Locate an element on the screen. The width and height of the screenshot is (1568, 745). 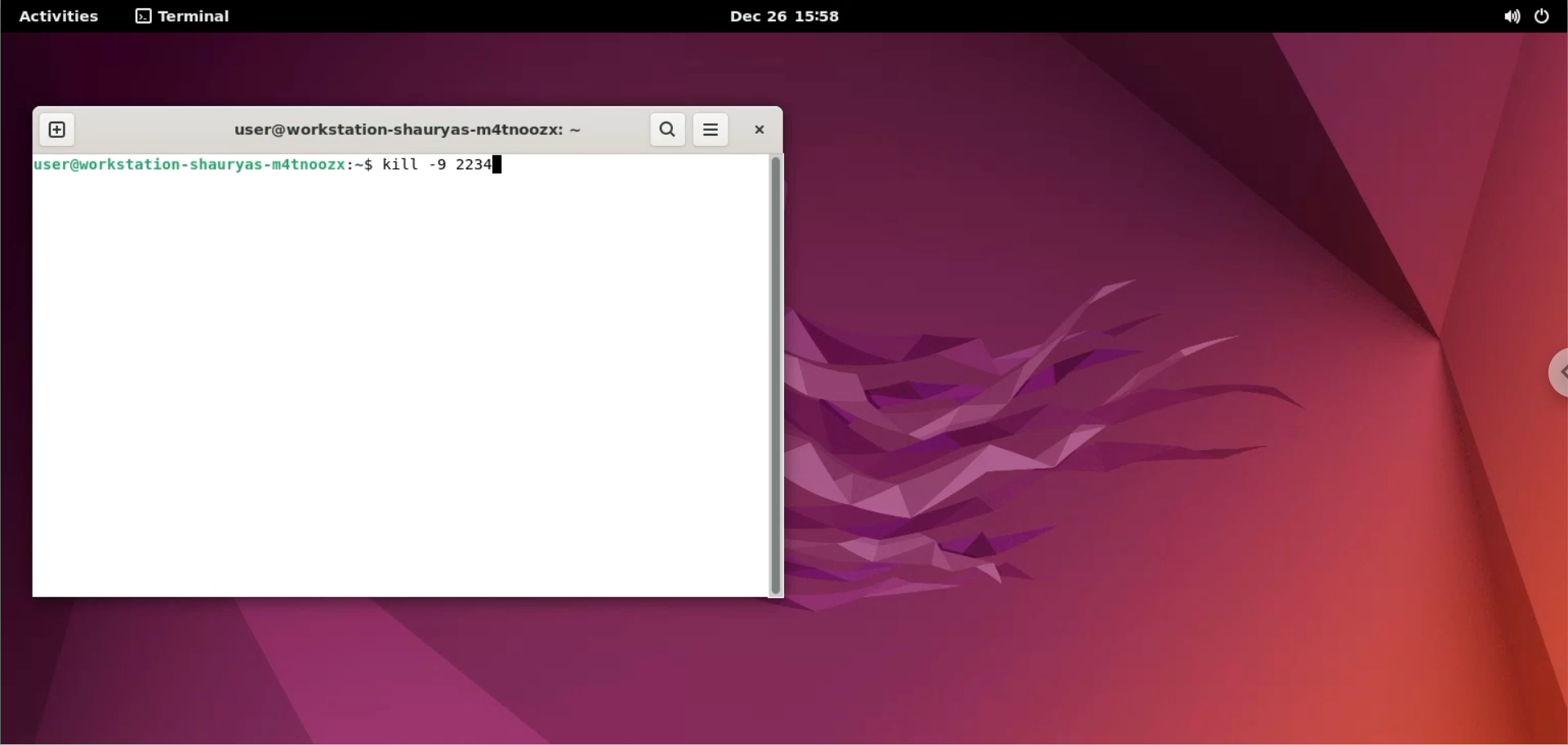
Activities is located at coordinates (57, 17).